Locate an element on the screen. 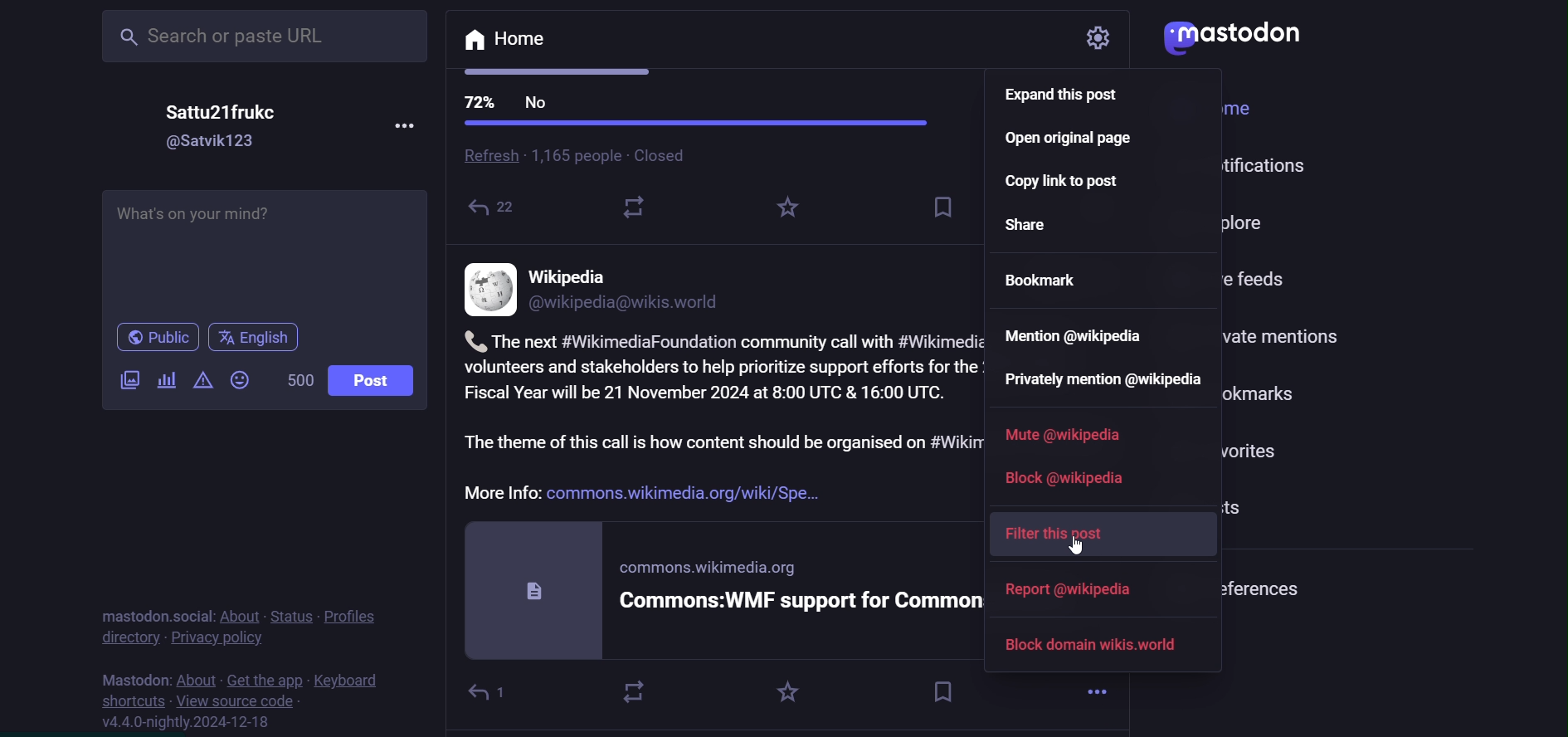 Image resolution: width=1568 pixels, height=737 pixels. block is located at coordinates (1067, 479).